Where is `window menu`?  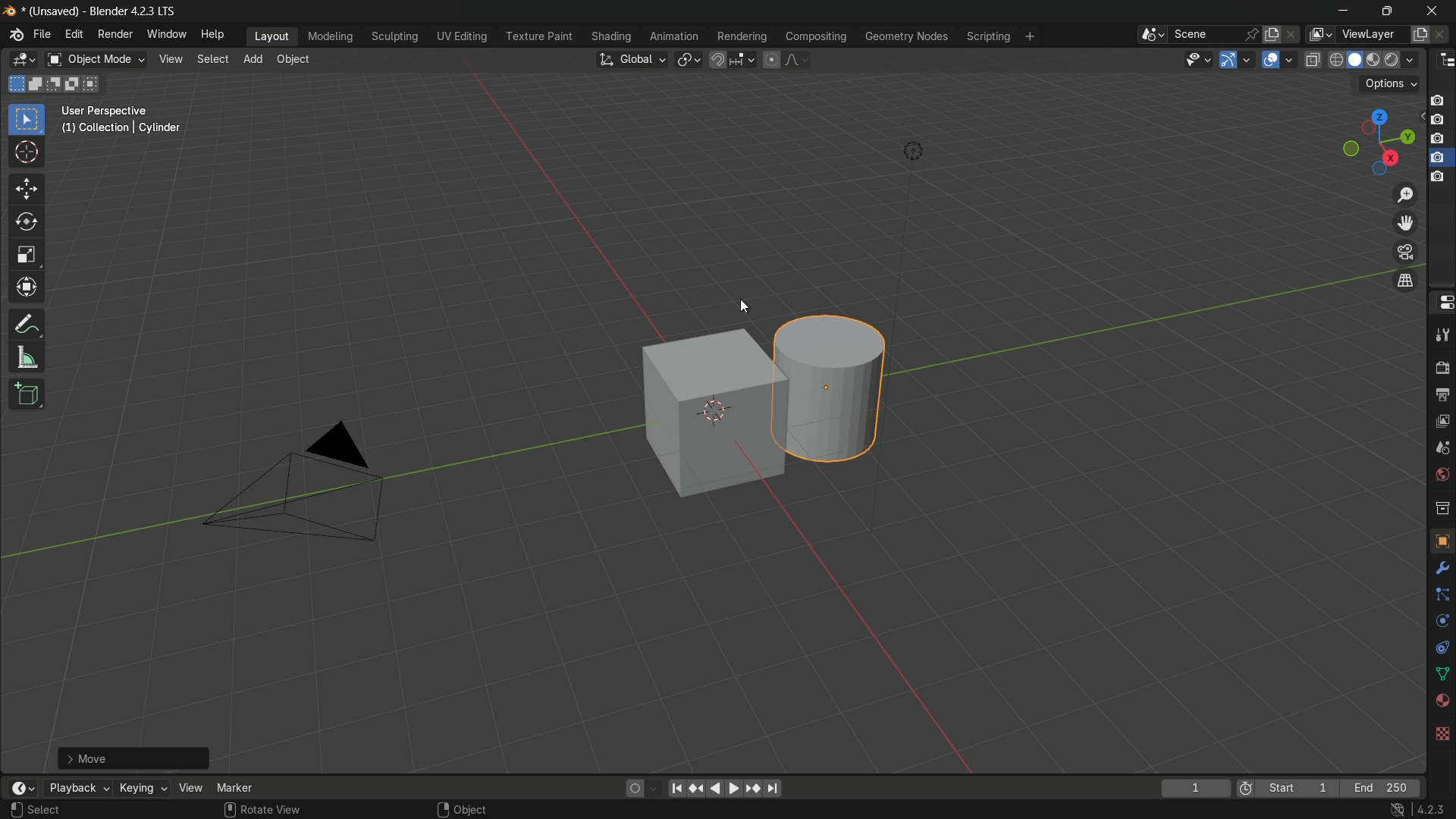 window menu is located at coordinates (168, 35).